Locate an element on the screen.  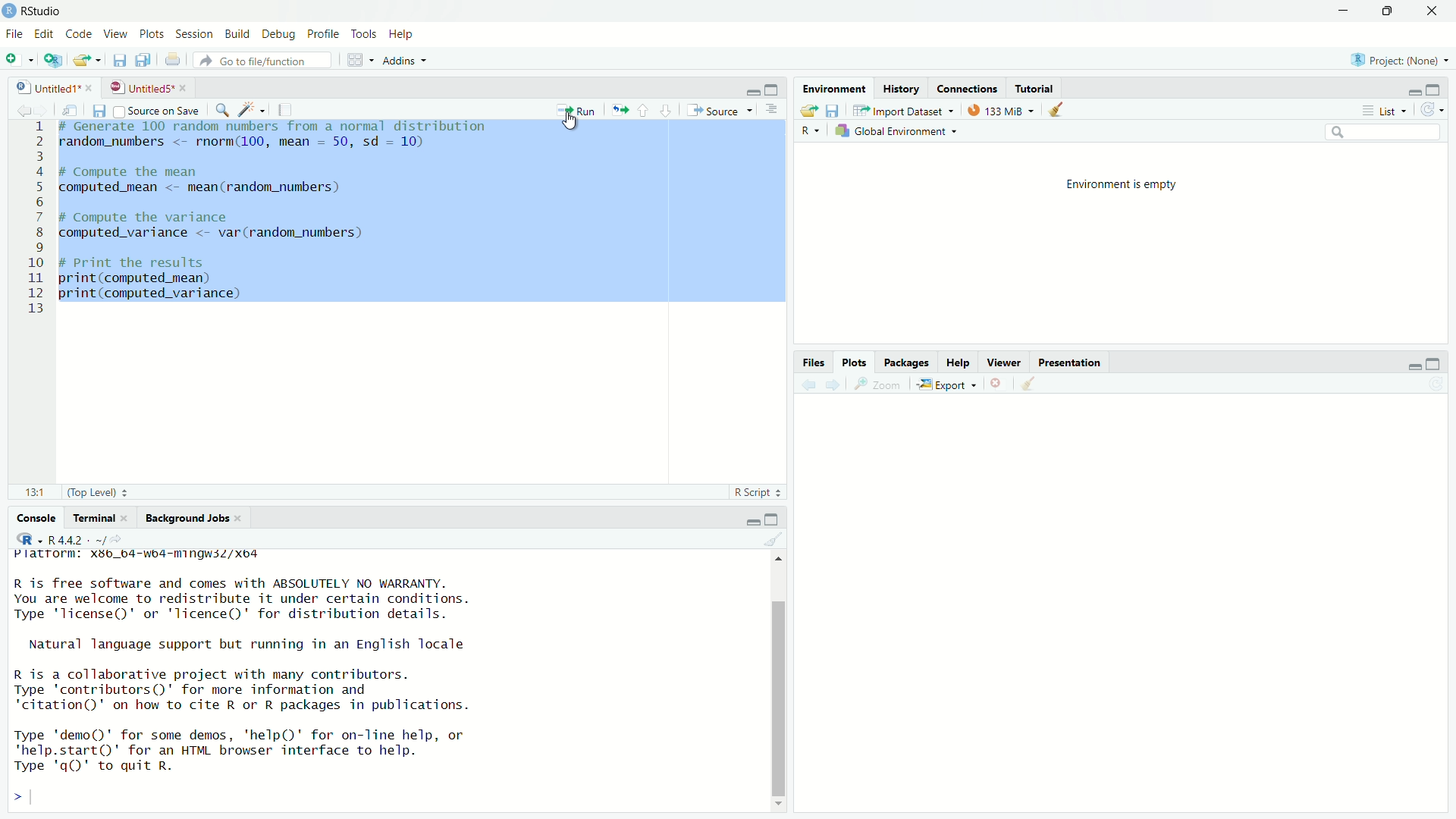
minimize is located at coordinates (750, 518).